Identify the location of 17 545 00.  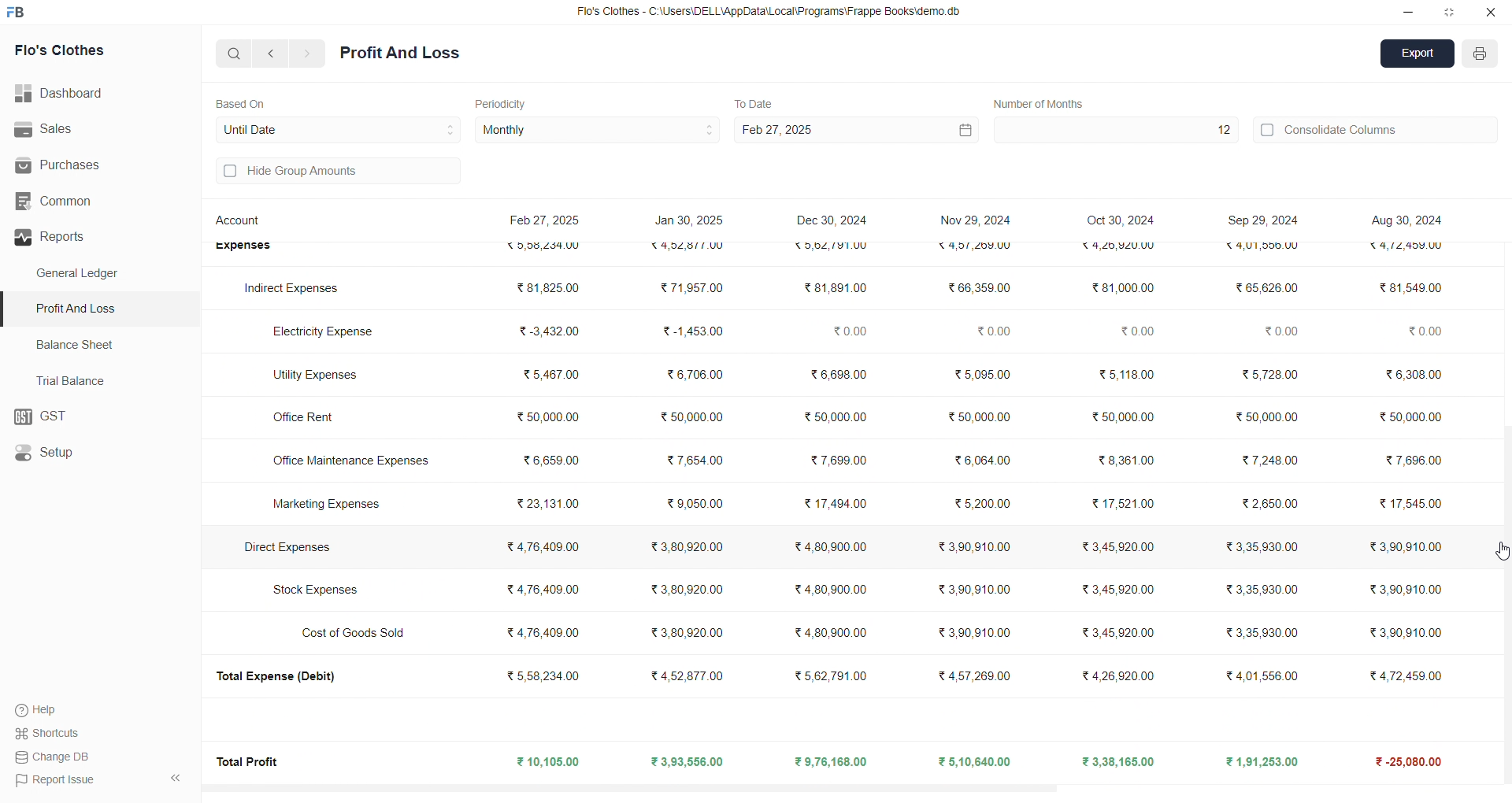
(1408, 506).